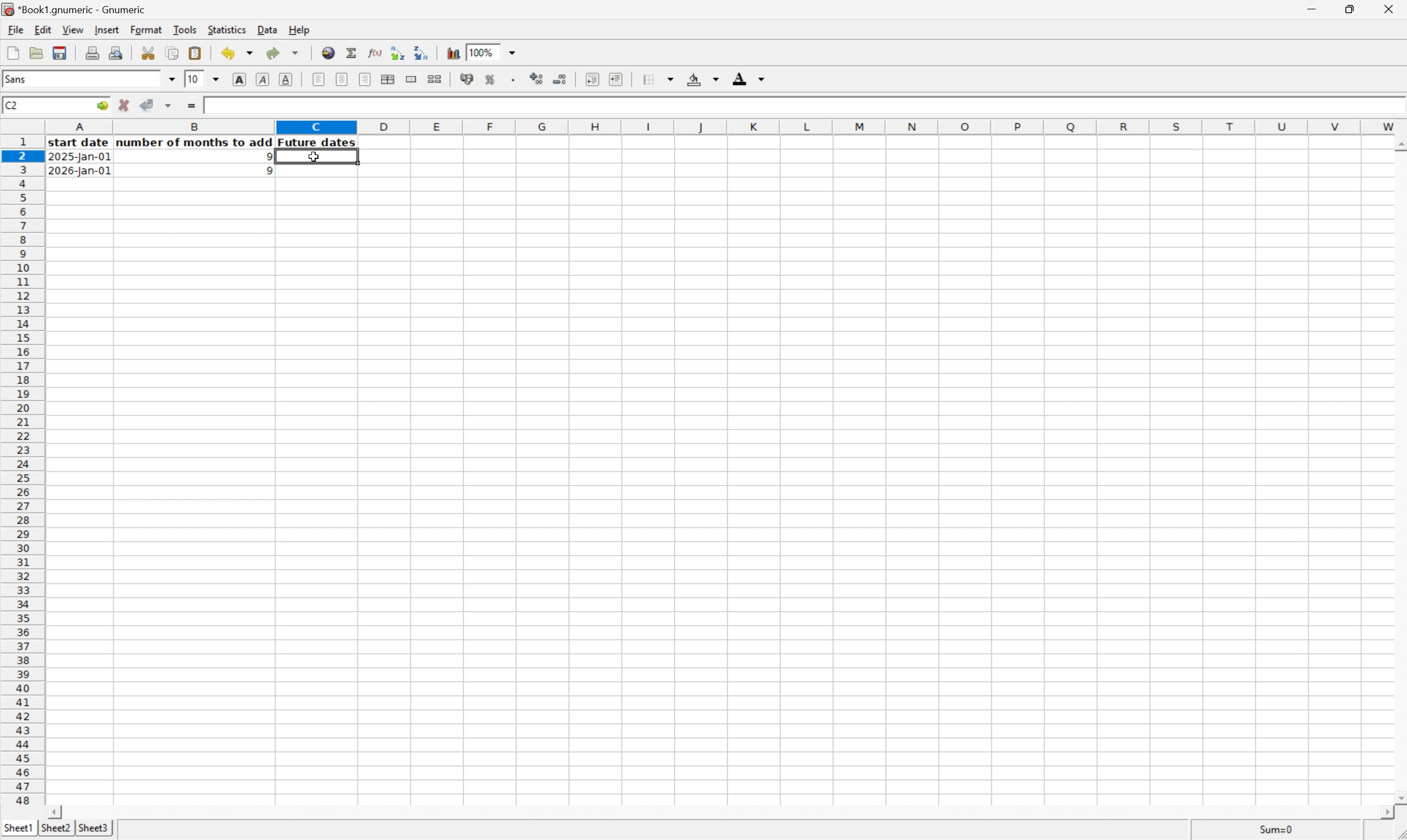 This screenshot has width=1407, height=840. I want to click on Merge a range of cells, so click(409, 78).